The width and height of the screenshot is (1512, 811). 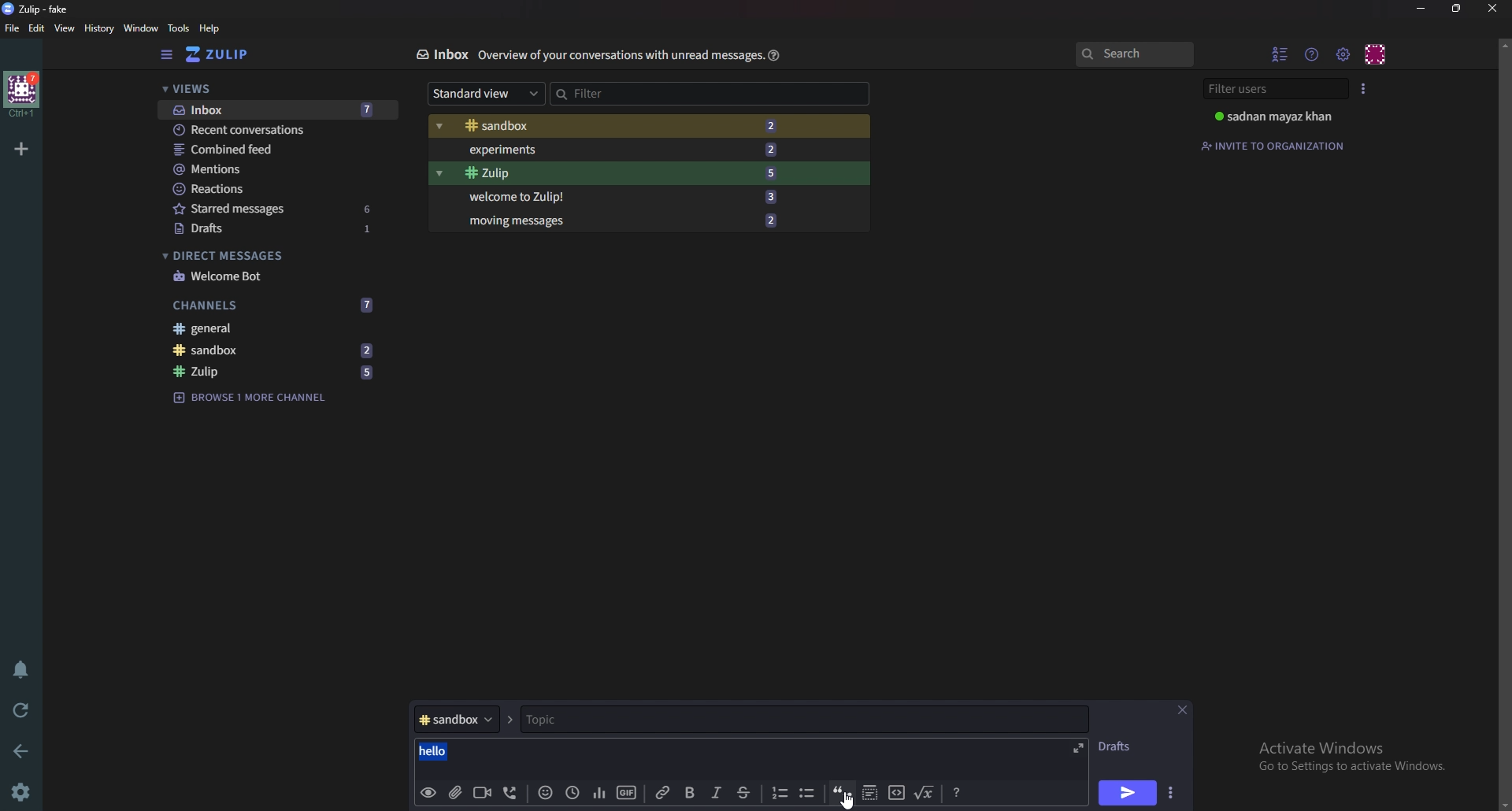 I want to click on 7, so click(x=376, y=109).